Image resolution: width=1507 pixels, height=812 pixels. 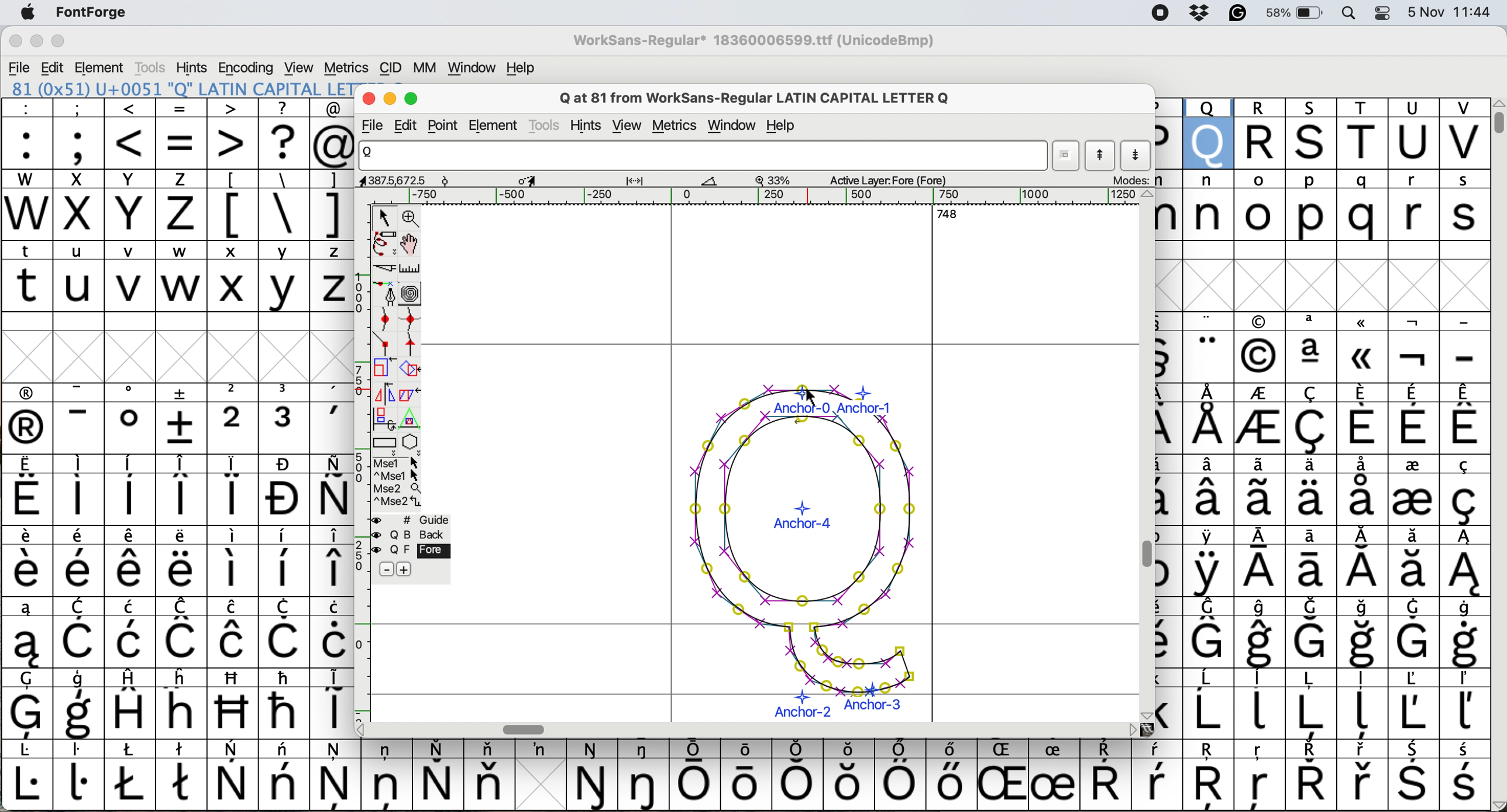 I want to click on add a comer point, so click(x=386, y=345).